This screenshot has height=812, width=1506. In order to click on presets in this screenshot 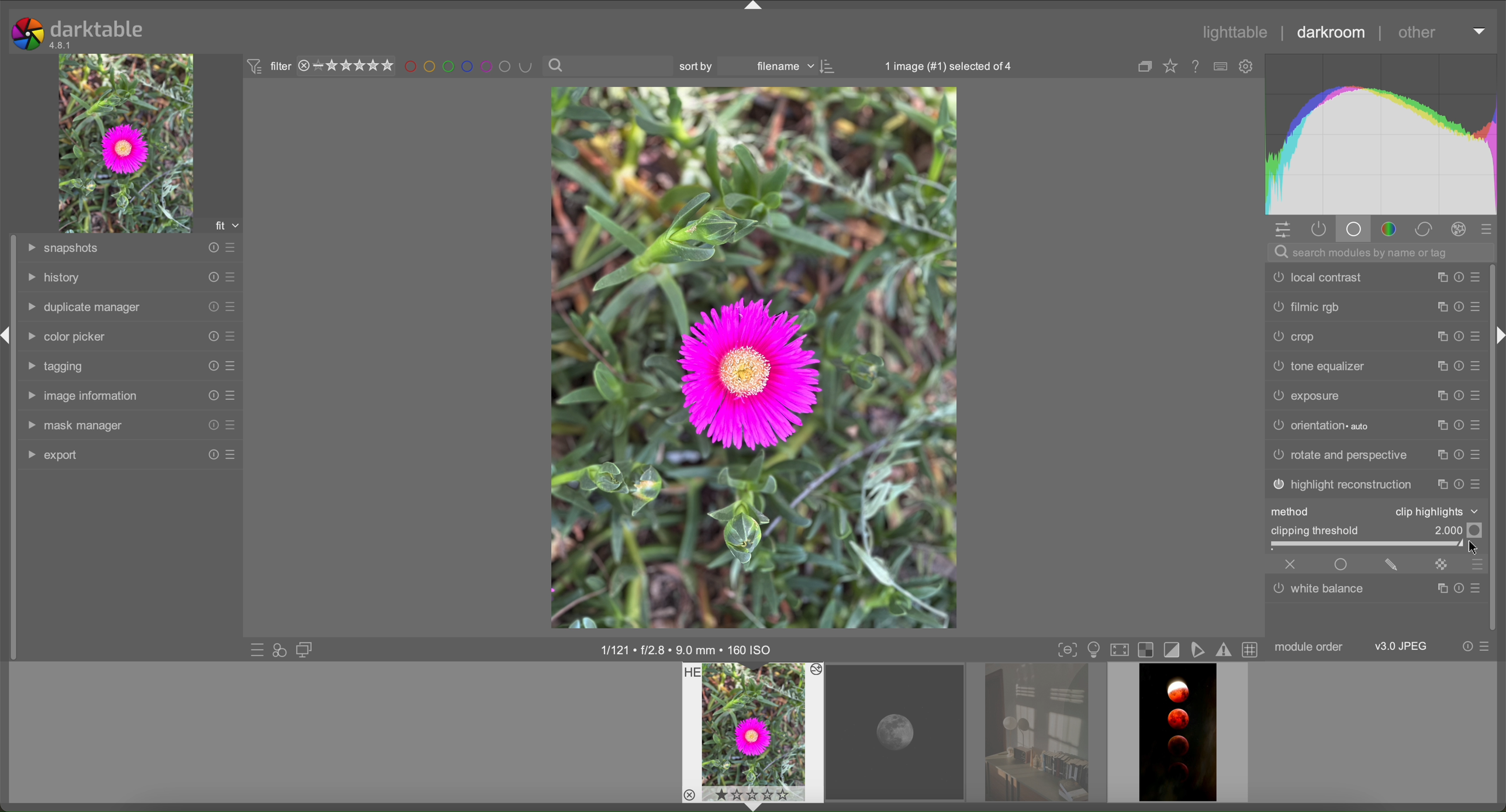, I will do `click(1478, 485)`.